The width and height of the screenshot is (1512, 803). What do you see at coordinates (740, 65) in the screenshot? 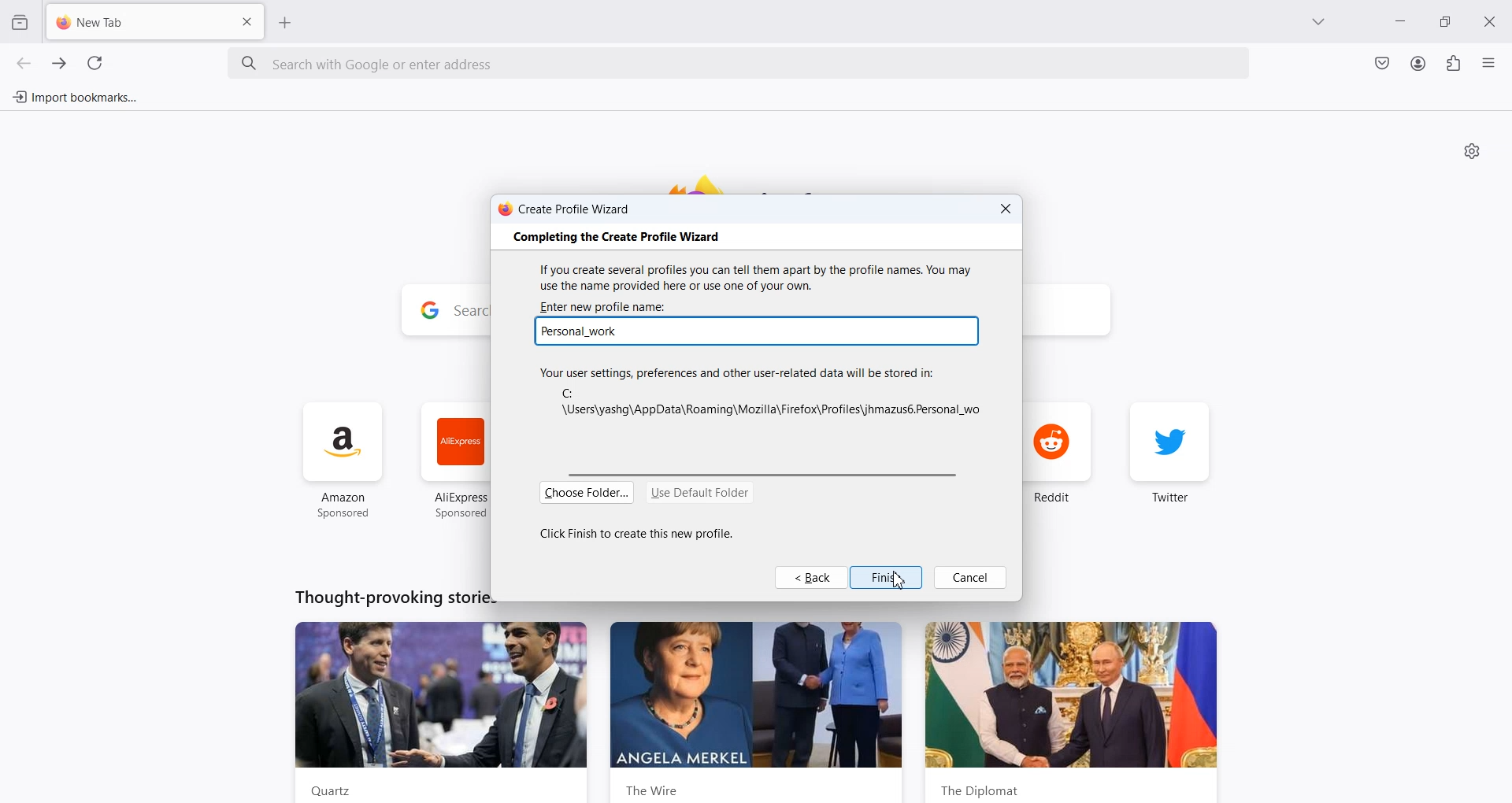
I see `Search bar` at bounding box center [740, 65].